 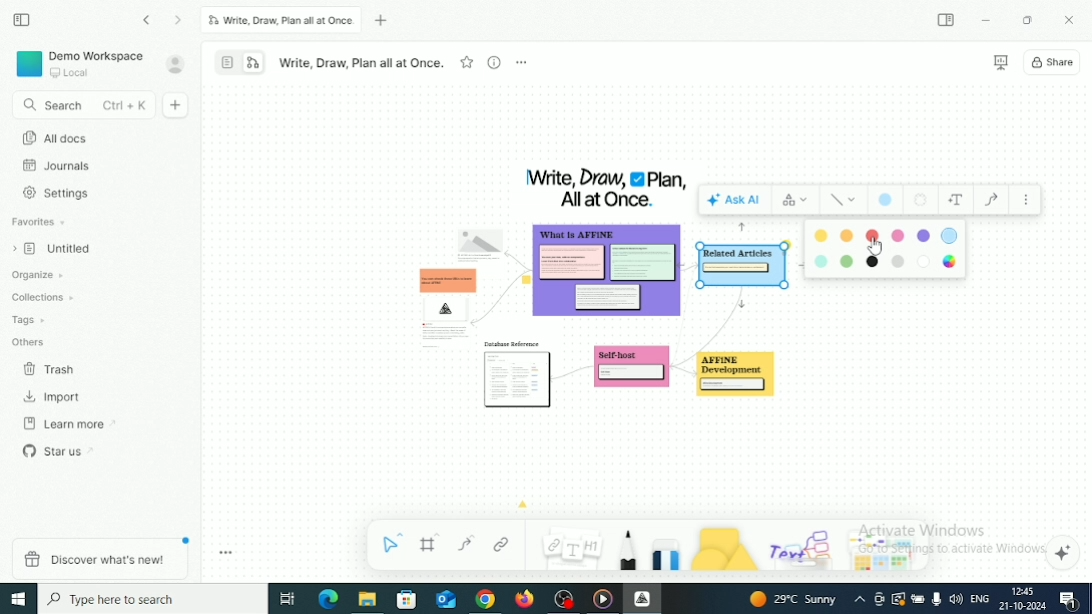 I want to click on Sky blue, so click(x=950, y=235).